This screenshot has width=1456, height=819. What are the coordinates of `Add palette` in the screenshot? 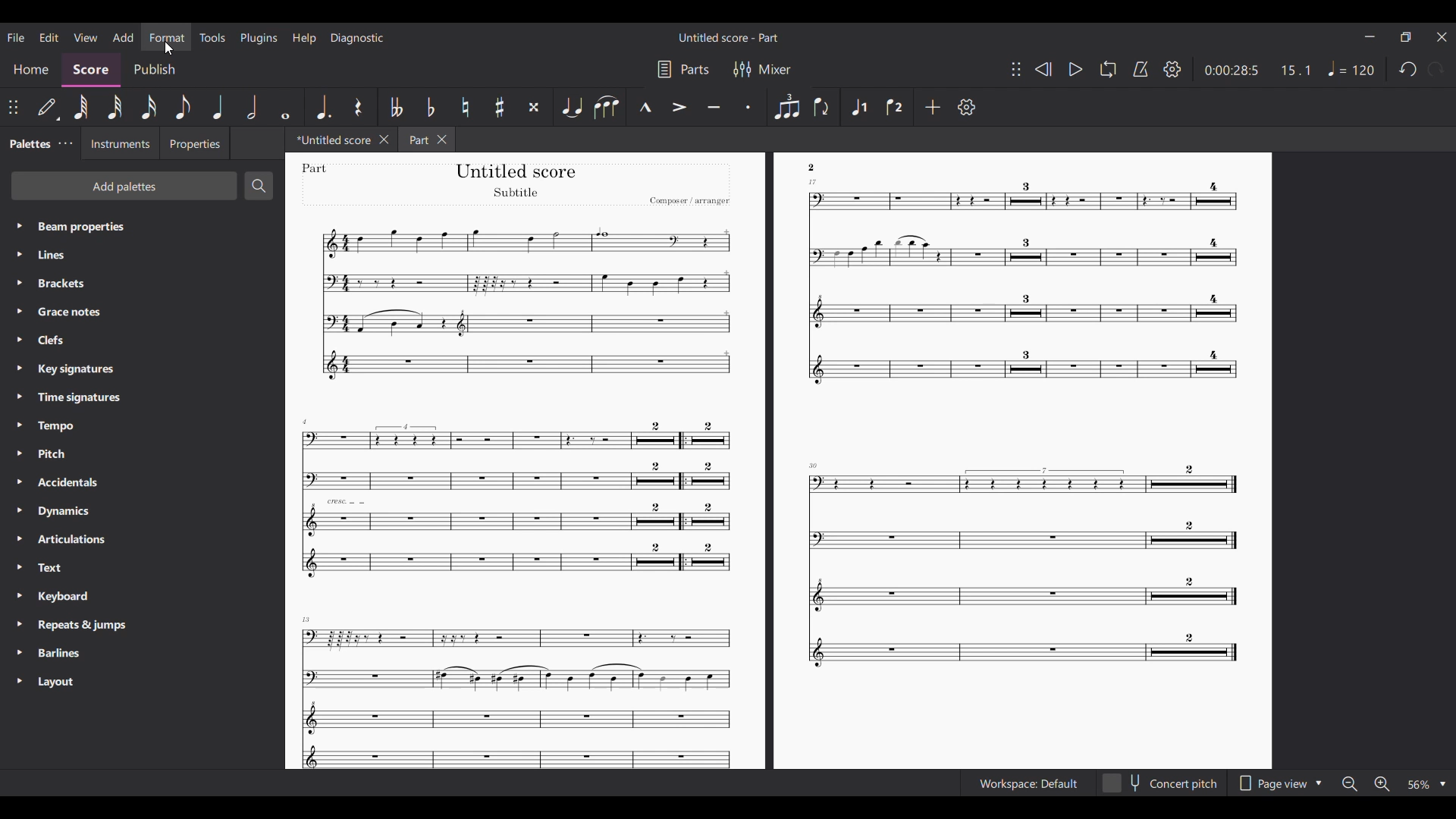 It's located at (124, 186).